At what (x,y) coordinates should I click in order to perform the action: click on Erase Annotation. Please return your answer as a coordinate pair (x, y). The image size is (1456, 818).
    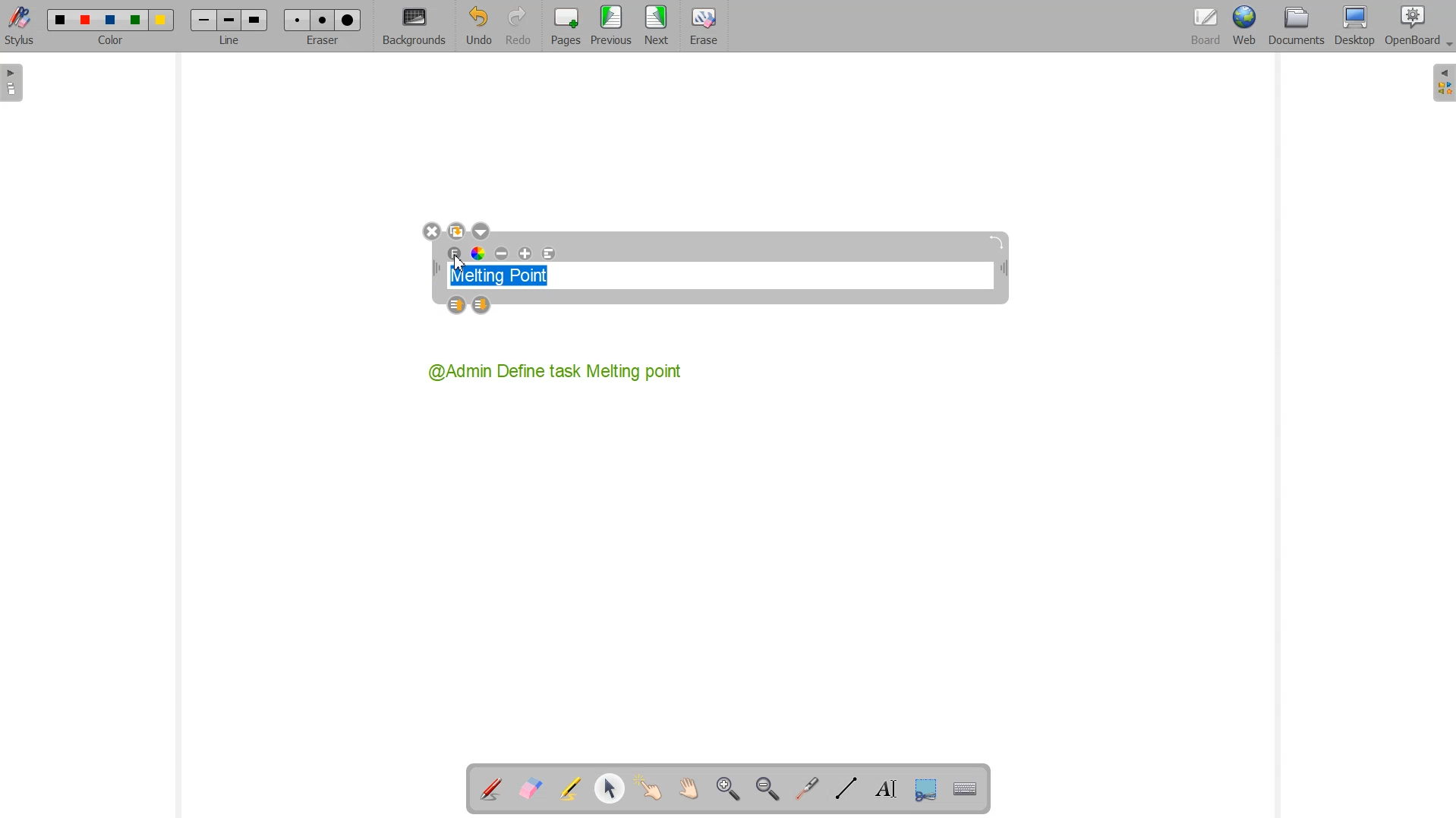
    Looking at the image, I should click on (530, 789).